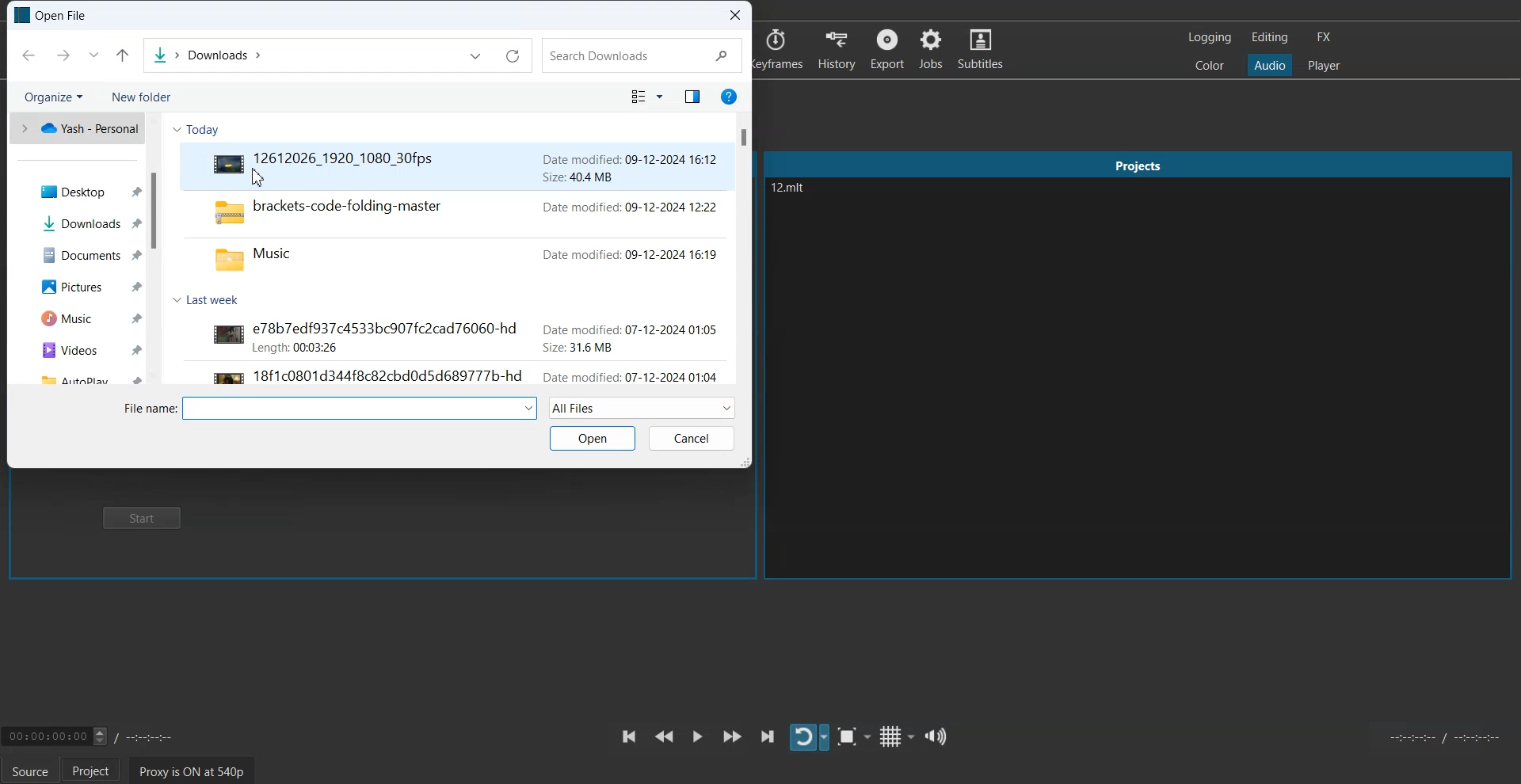  Describe the element at coordinates (140, 97) in the screenshot. I see `New Folder` at that location.